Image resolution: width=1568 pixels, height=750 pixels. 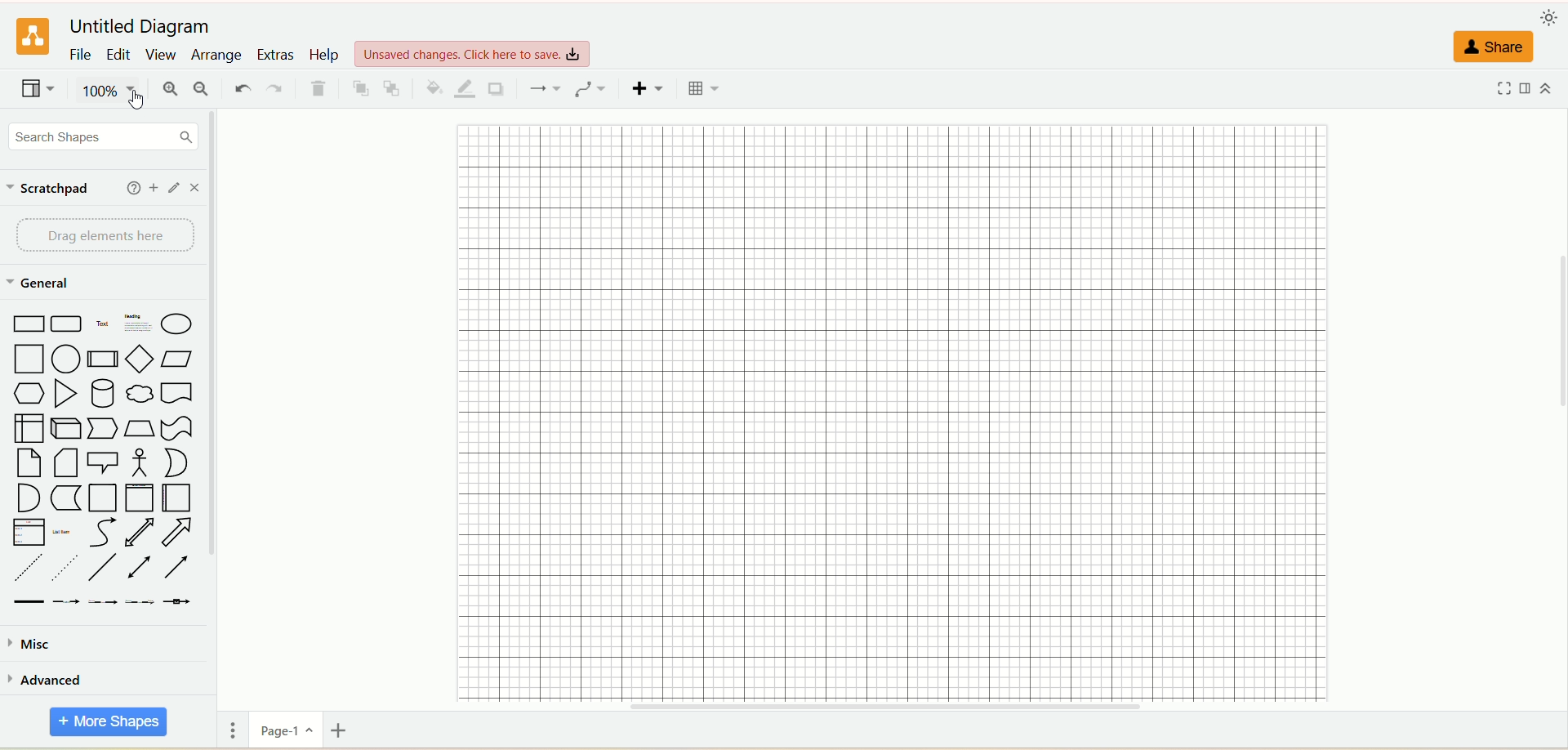 What do you see at coordinates (277, 87) in the screenshot?
I see `redo` at bounding box center [277, 87].